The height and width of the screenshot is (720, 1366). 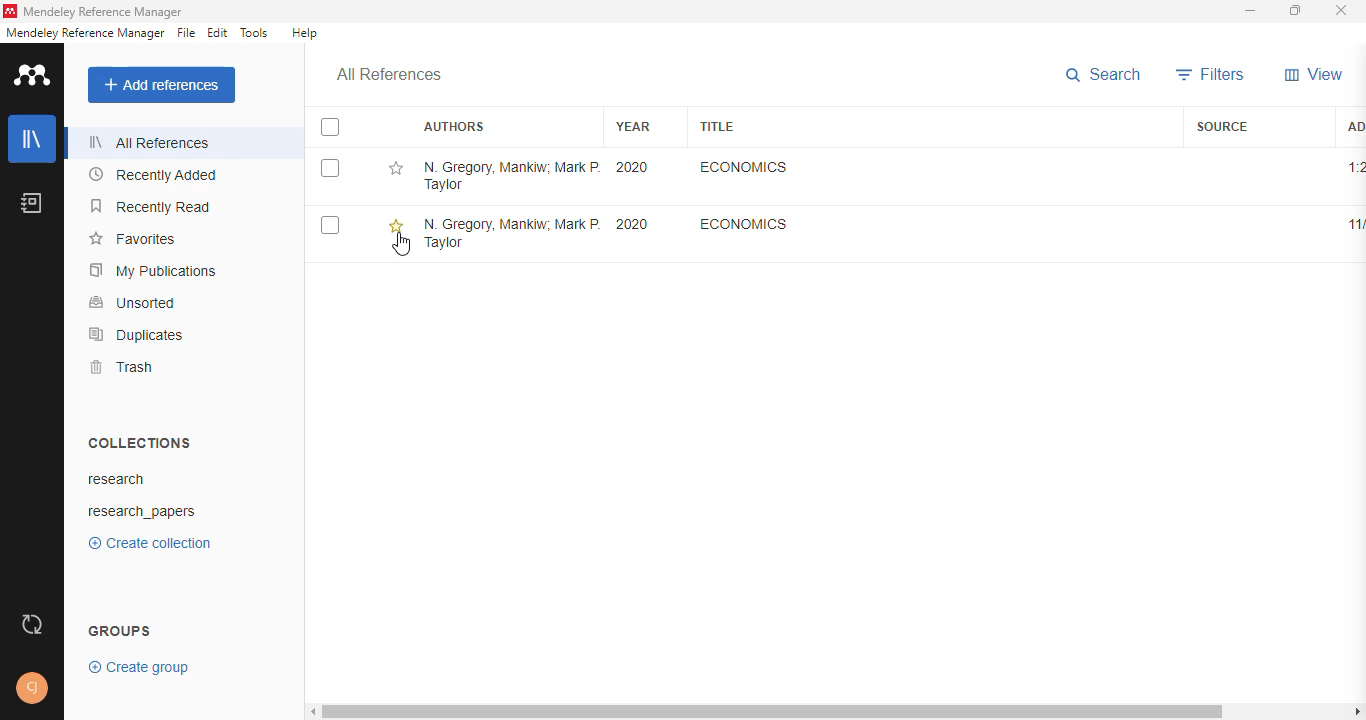 I want to click on 2020, so click(x=631, y=224).